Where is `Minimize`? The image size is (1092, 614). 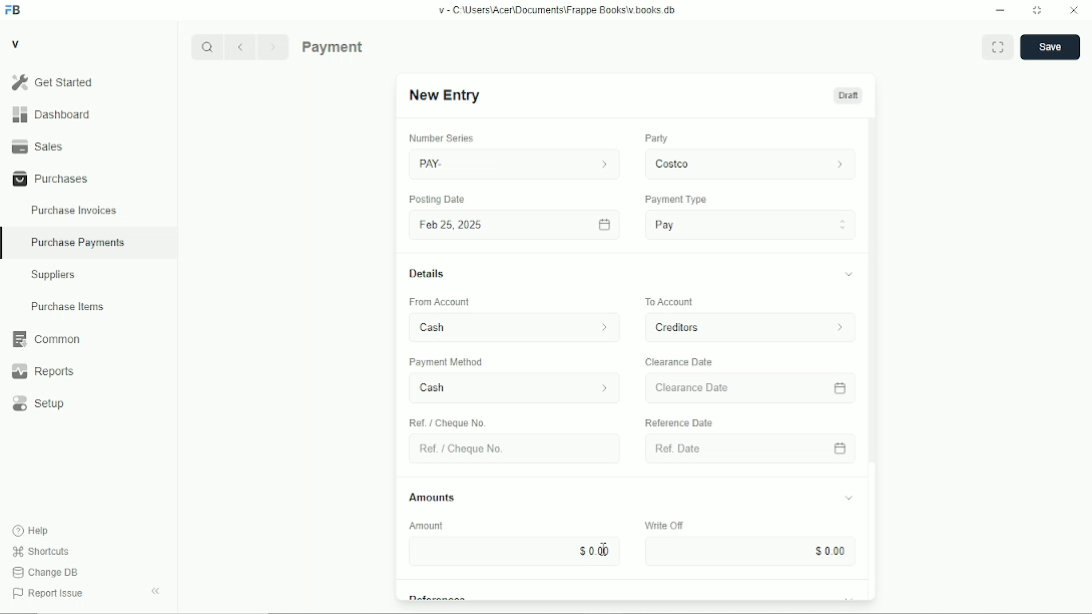 Minimize is located at coordinates (1000, 10).